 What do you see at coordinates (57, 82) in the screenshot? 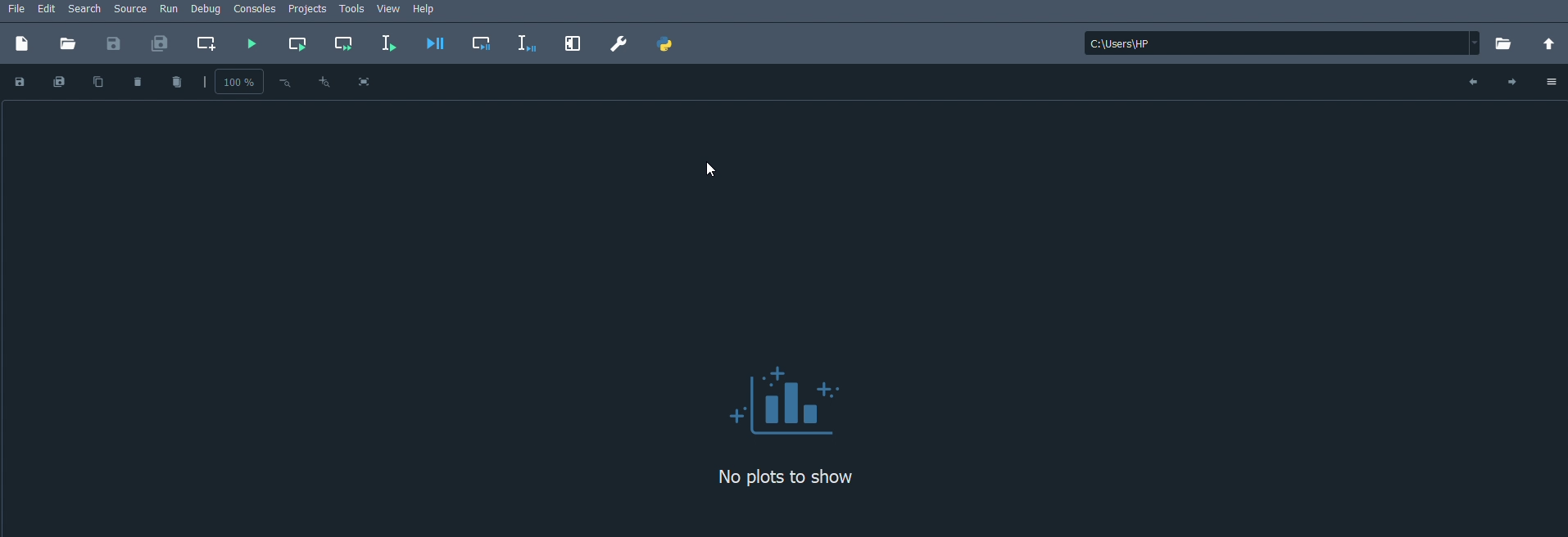
I see `save all` at bounding box center [57, 82].